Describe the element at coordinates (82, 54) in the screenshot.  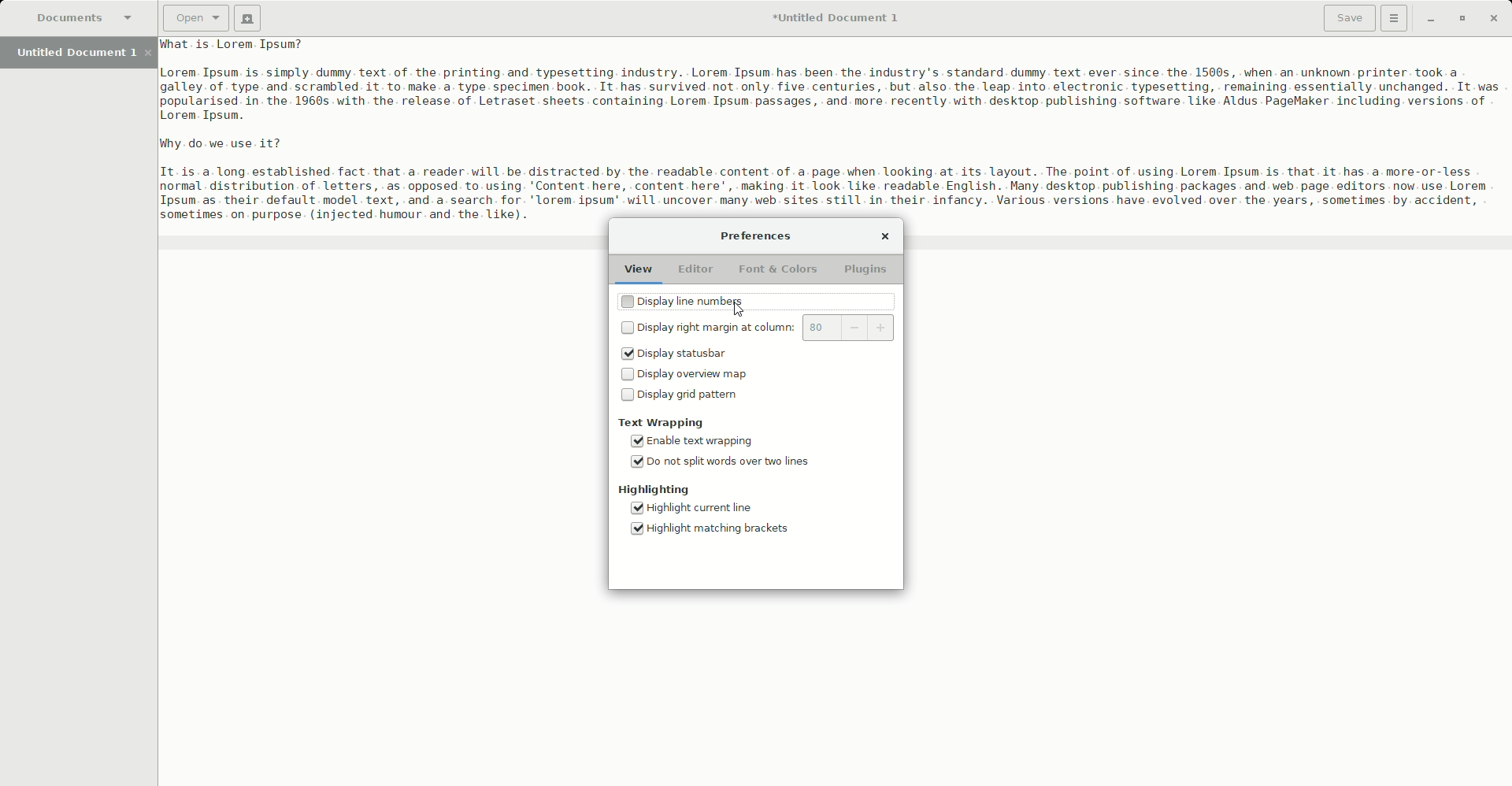
I see `Untitled Document 1` at that location.